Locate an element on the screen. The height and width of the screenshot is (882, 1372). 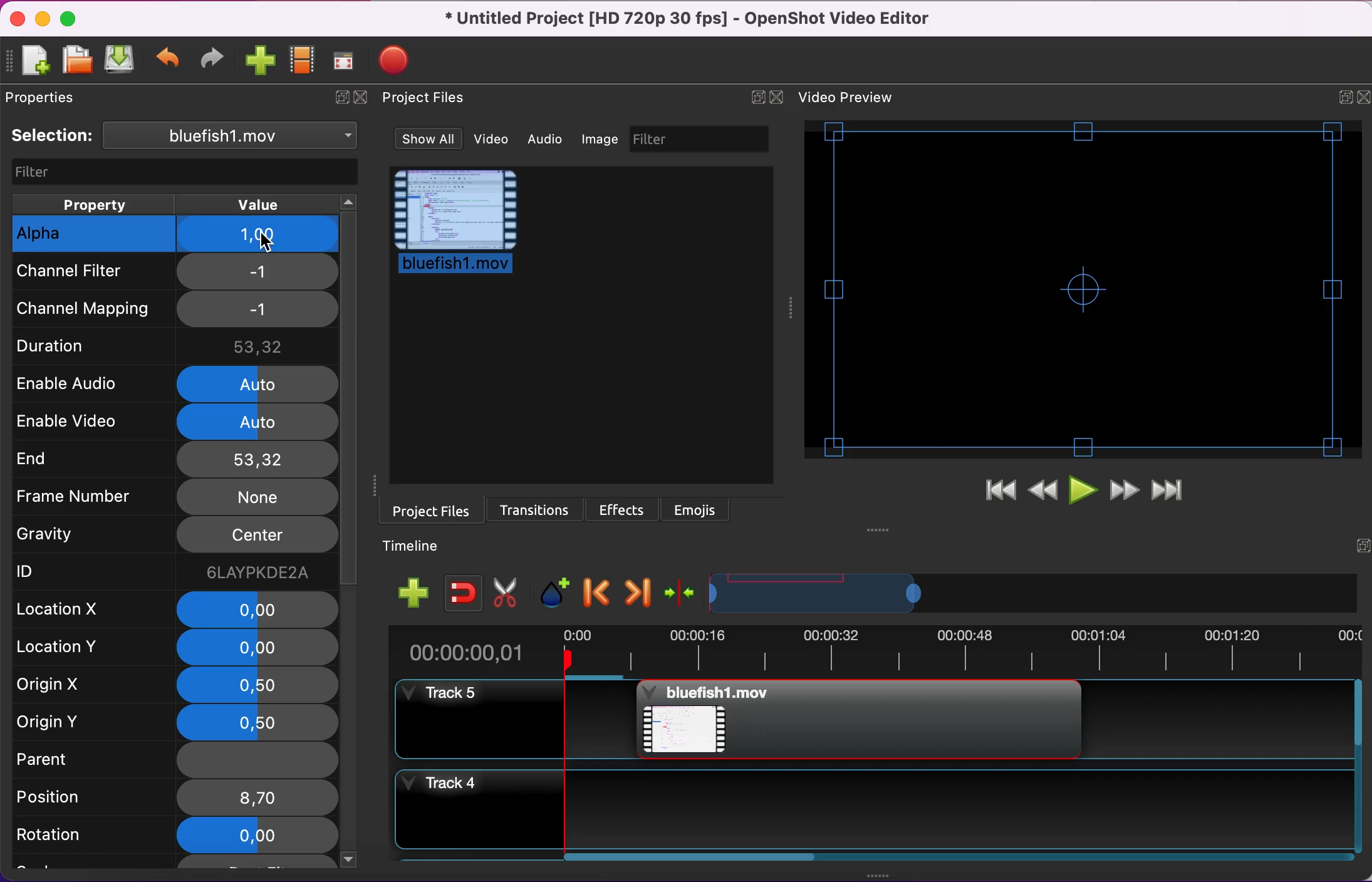
53,32 is located at coordinates (258, 346).